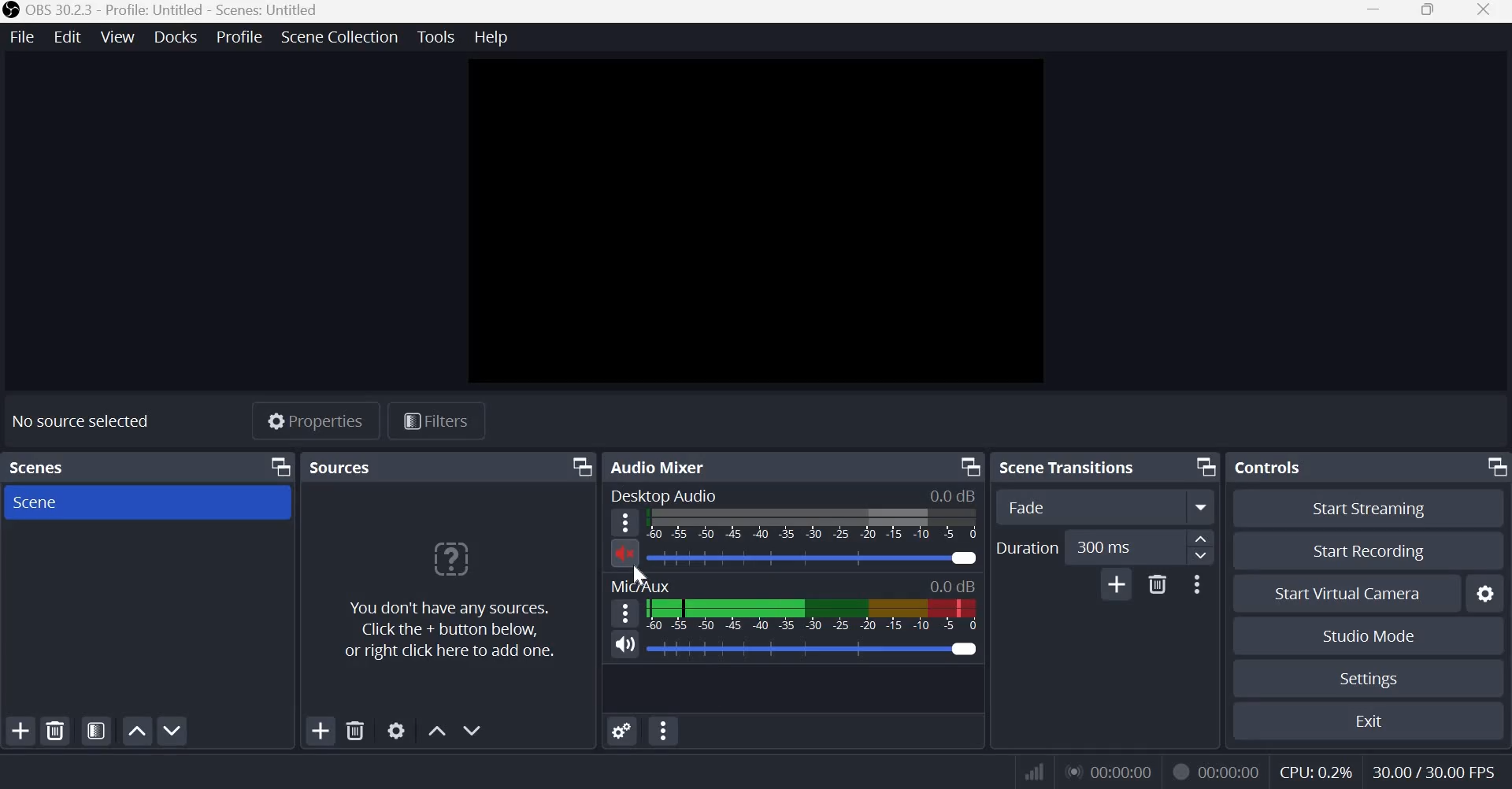 Image resolution: width=1512 pixels, height=789 pixels. Describe the element at coordinates (357, 732) in the screenshot. I see `Remove selected source(s)` at that location.